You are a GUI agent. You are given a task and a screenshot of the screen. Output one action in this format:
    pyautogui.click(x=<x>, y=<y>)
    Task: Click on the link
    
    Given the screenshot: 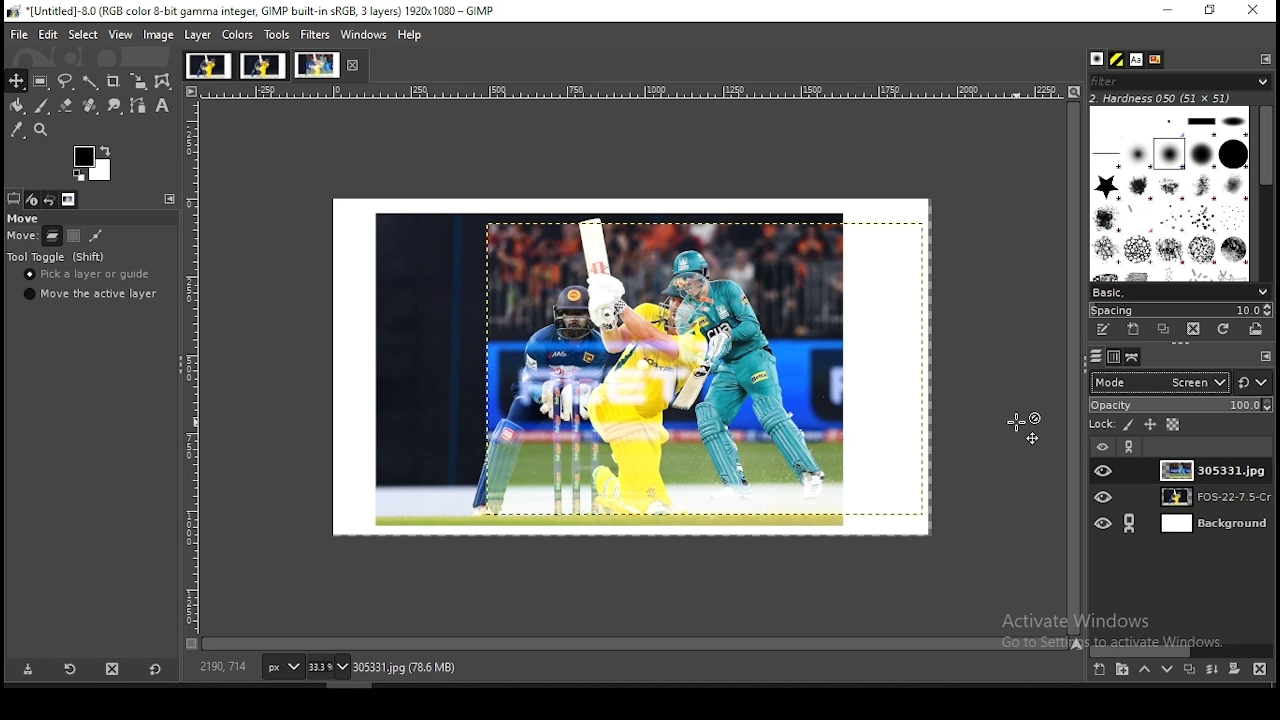 What is the action you would take?
    pyautogui.click(x=1131, y=446)
    